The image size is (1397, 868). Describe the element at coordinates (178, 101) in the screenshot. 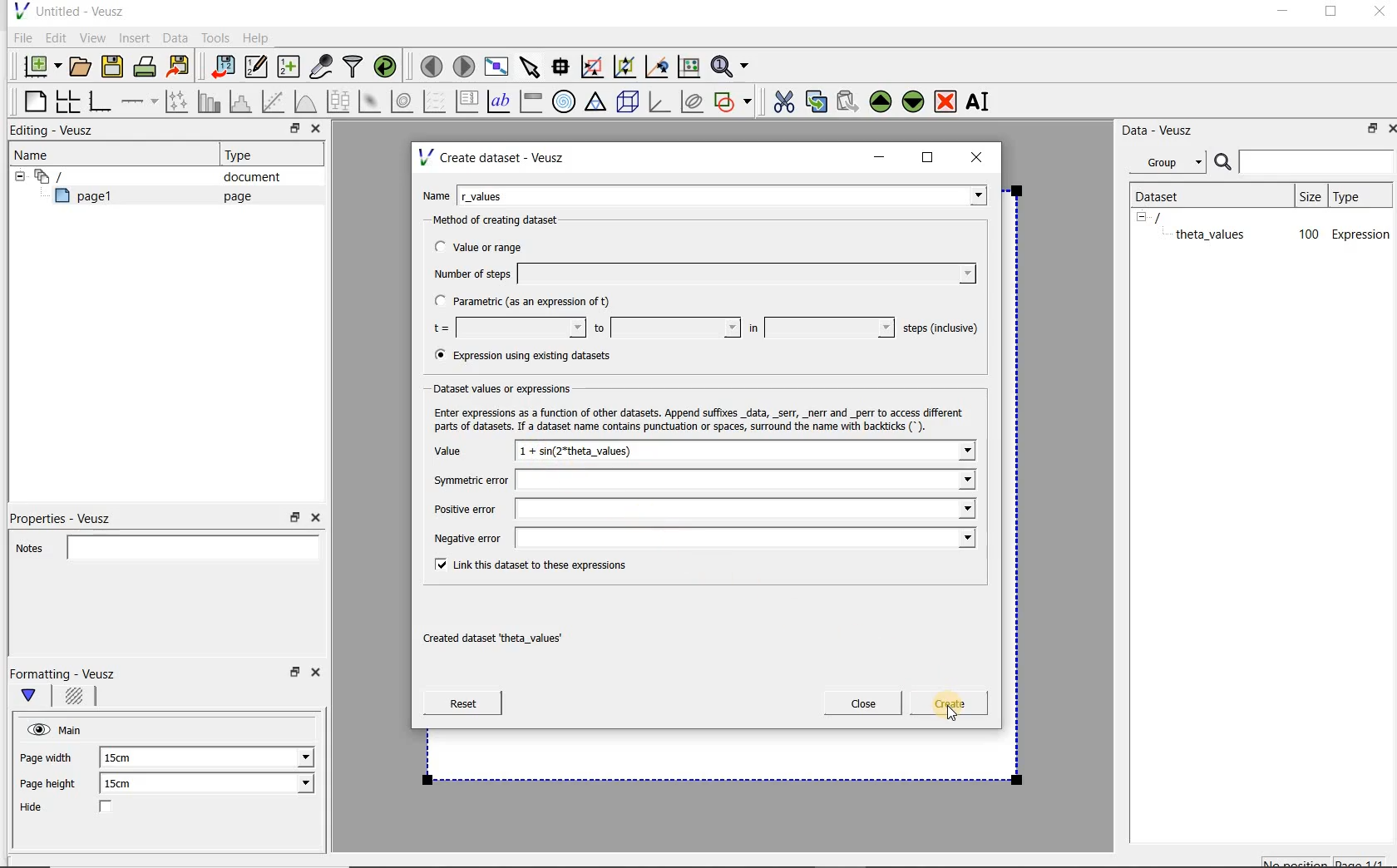

I see `Plot points with lines and error bars` at that location.